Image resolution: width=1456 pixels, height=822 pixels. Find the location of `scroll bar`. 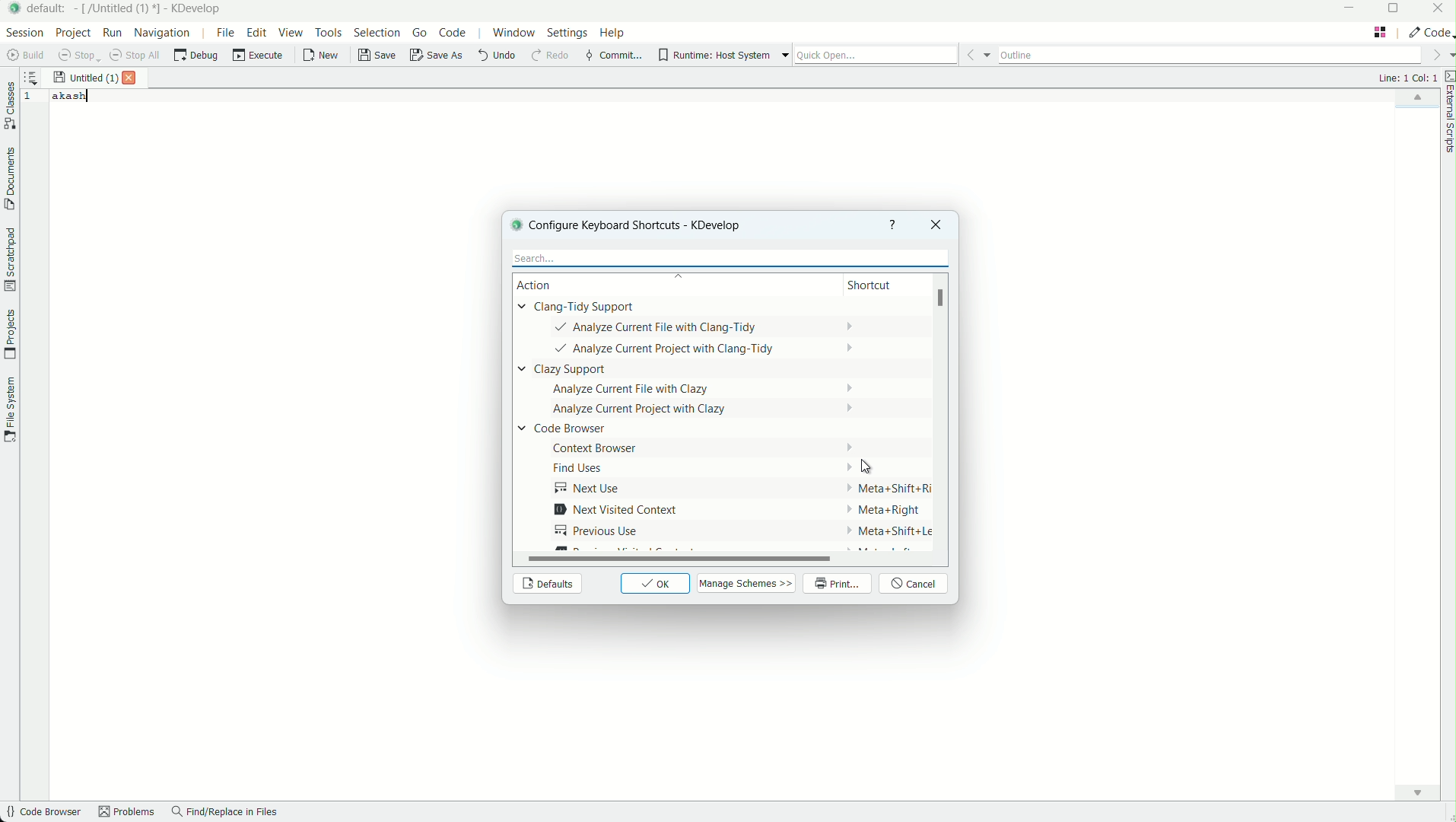

scroll bar is located at coordinates (943, 301).